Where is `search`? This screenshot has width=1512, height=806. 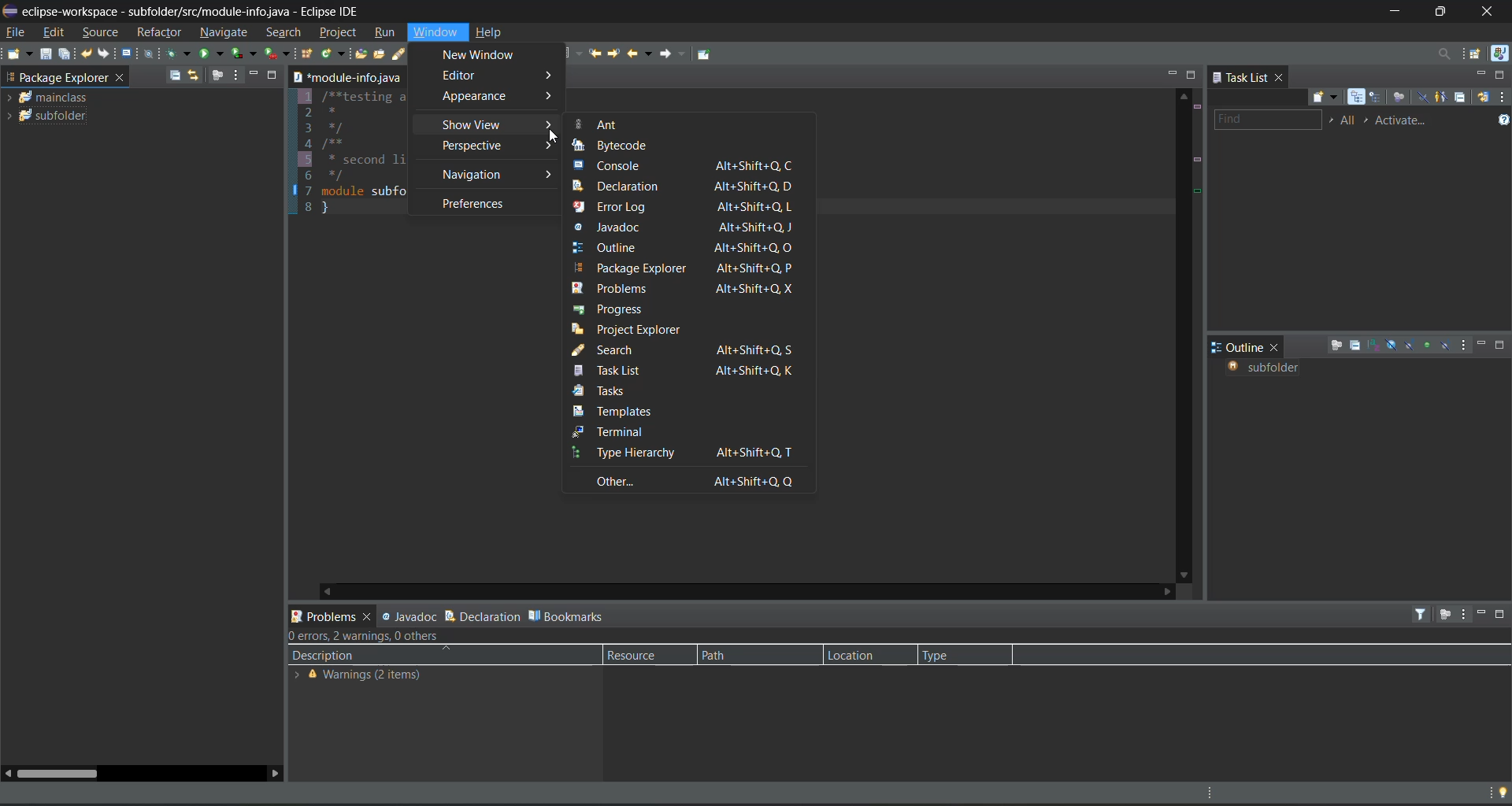 search is located at coordinates (409, 54).